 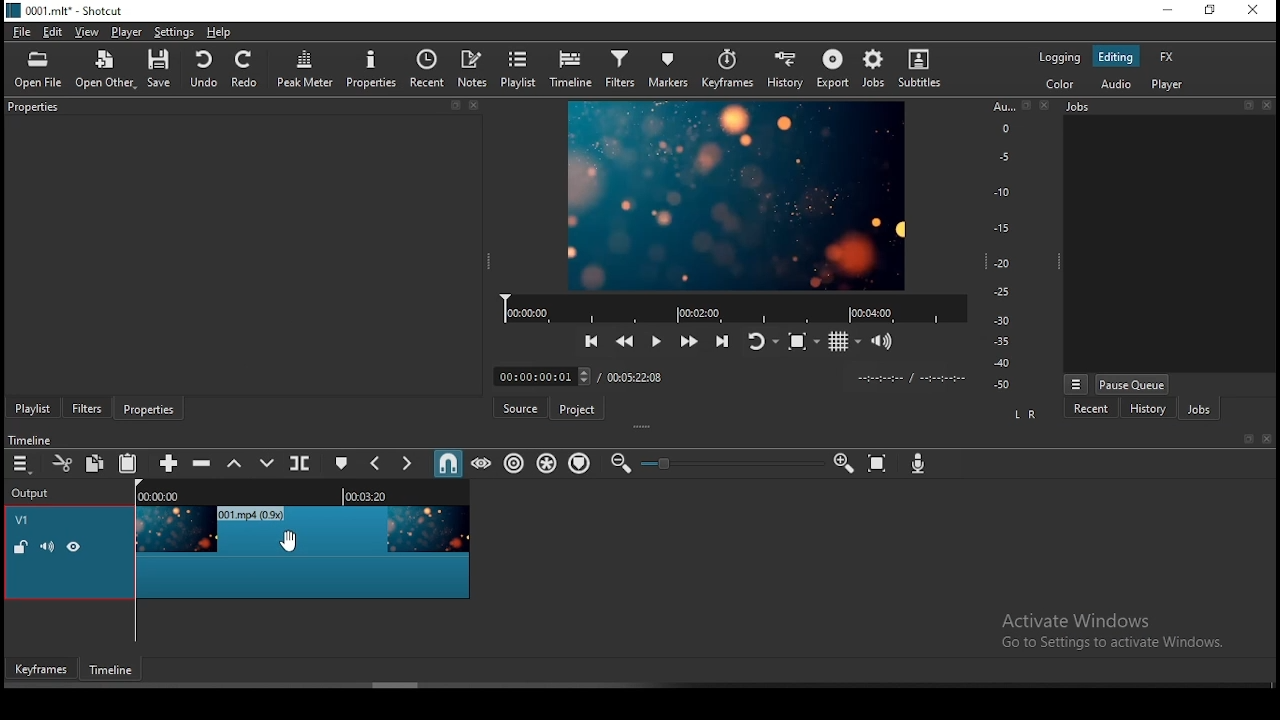 I want to click on properties, so click(x=149, y=408).